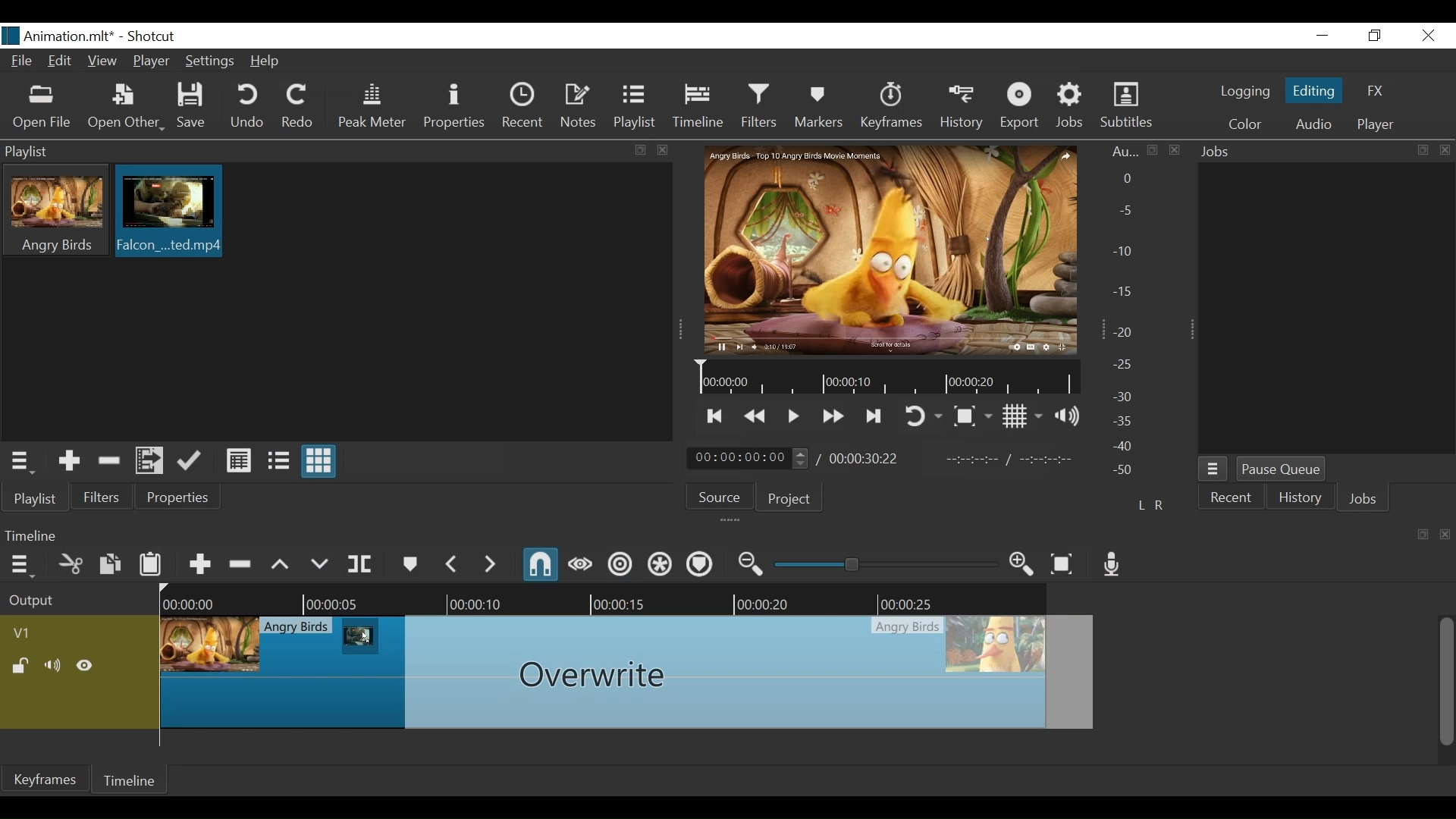  I want to click on Update, so click(192, 461).